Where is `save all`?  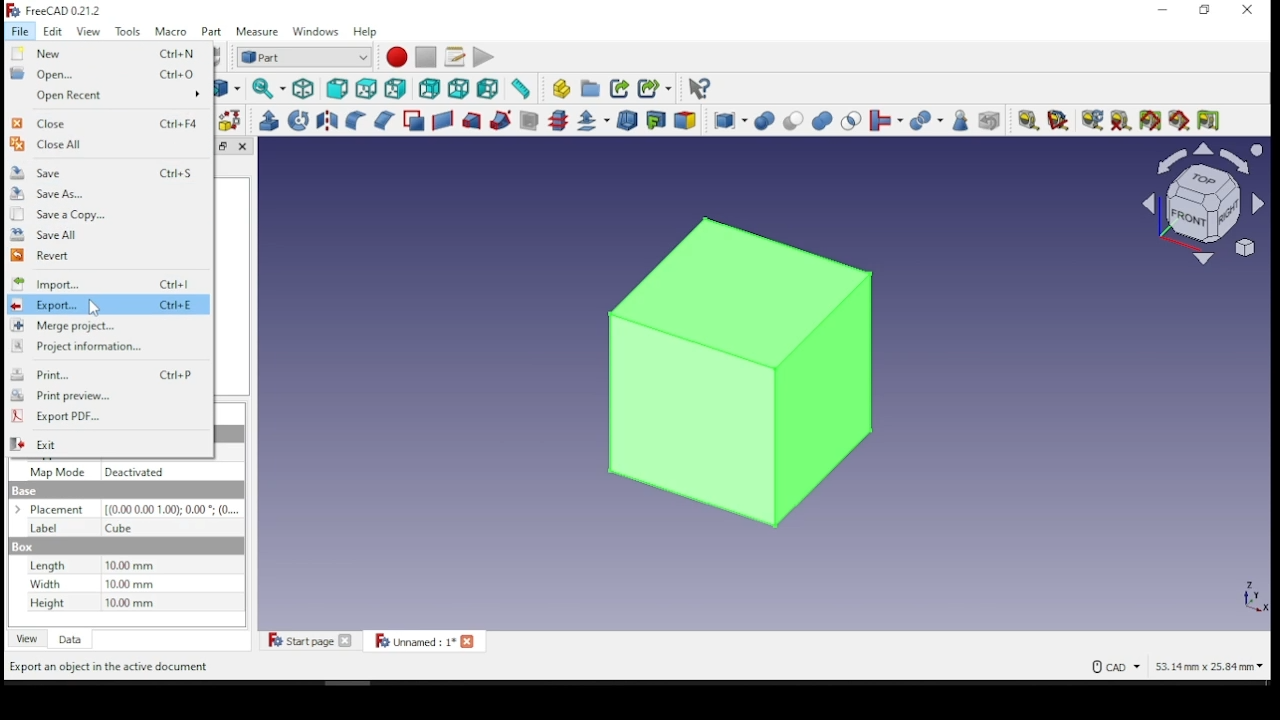 save all is located at coordinates (103, 236).